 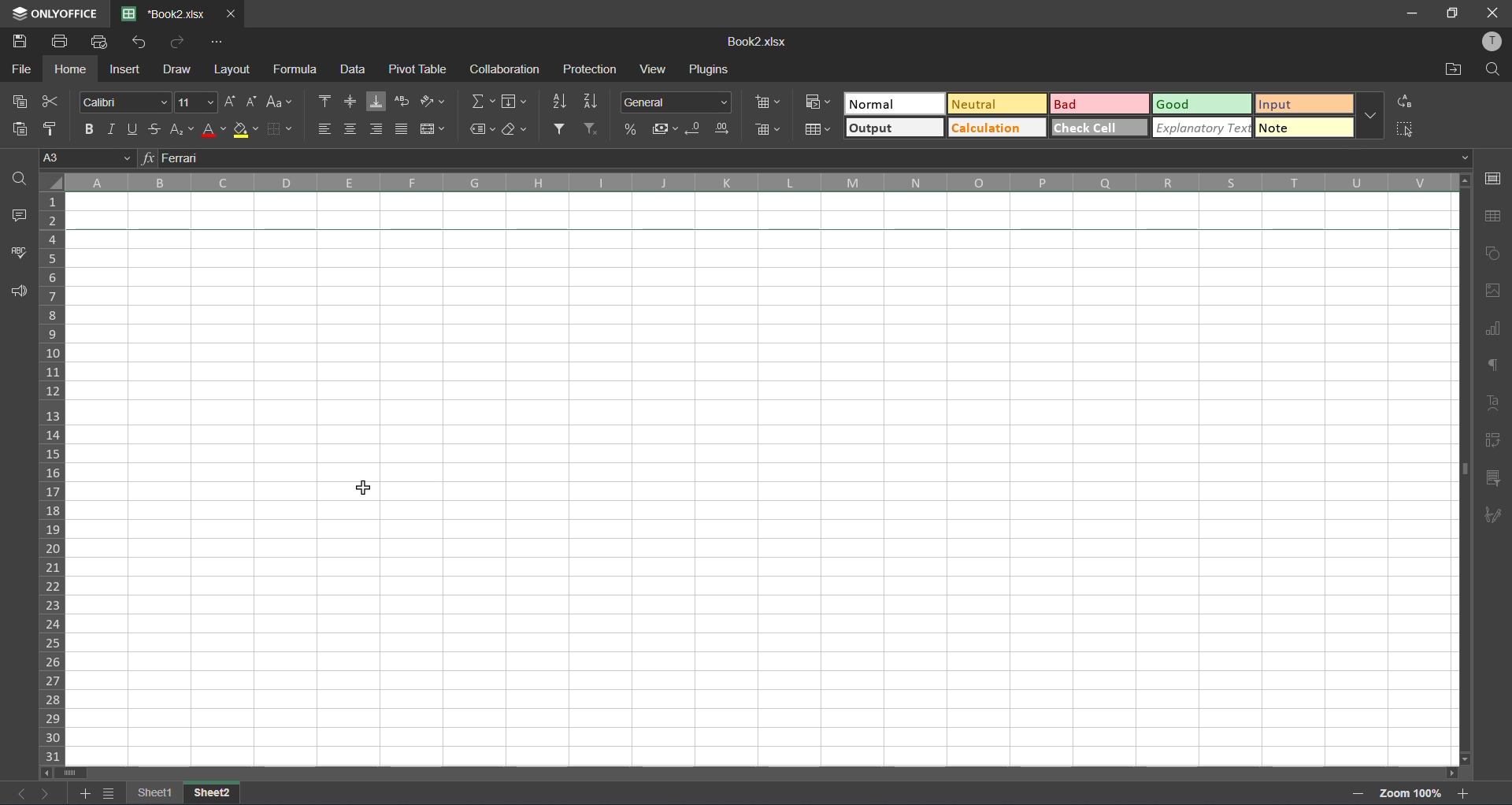 What do you see at coordinates (102, 43) in the screenshot?
I see `quick print` at bounding box center [102, 43].